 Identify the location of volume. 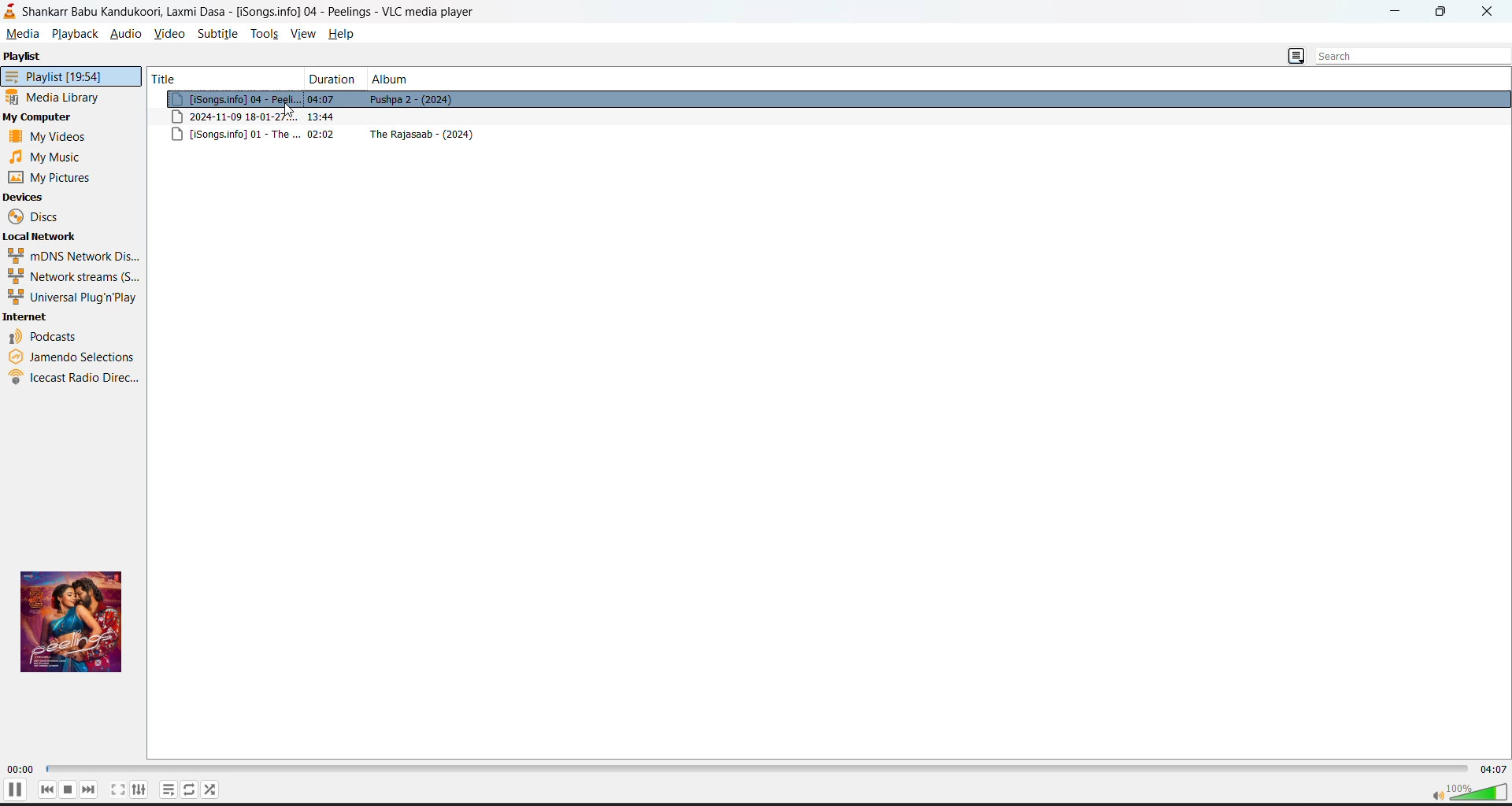
(1469, 792).